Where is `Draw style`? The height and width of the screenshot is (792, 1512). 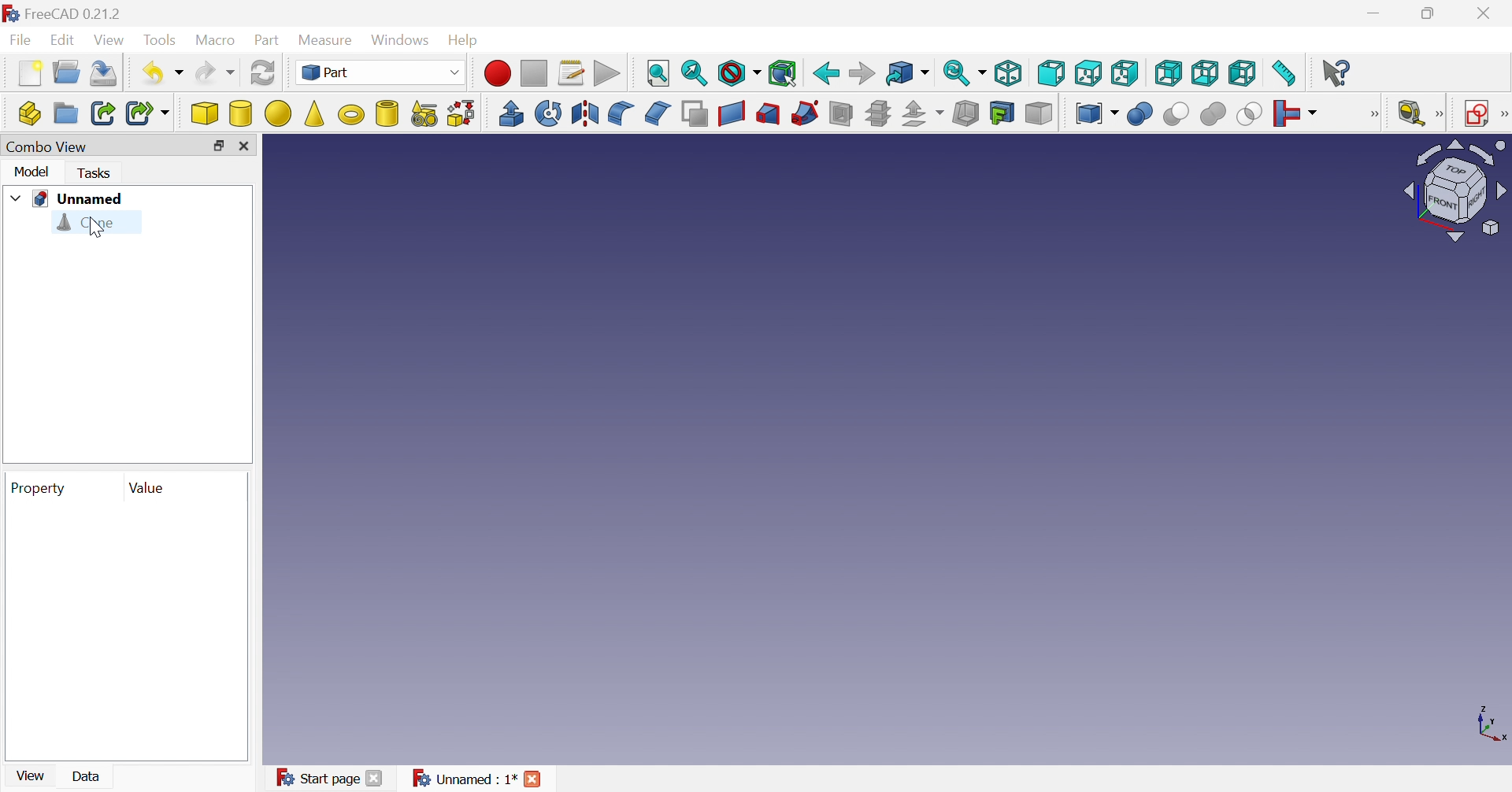 Draw style is located at coordinates (739, 73).